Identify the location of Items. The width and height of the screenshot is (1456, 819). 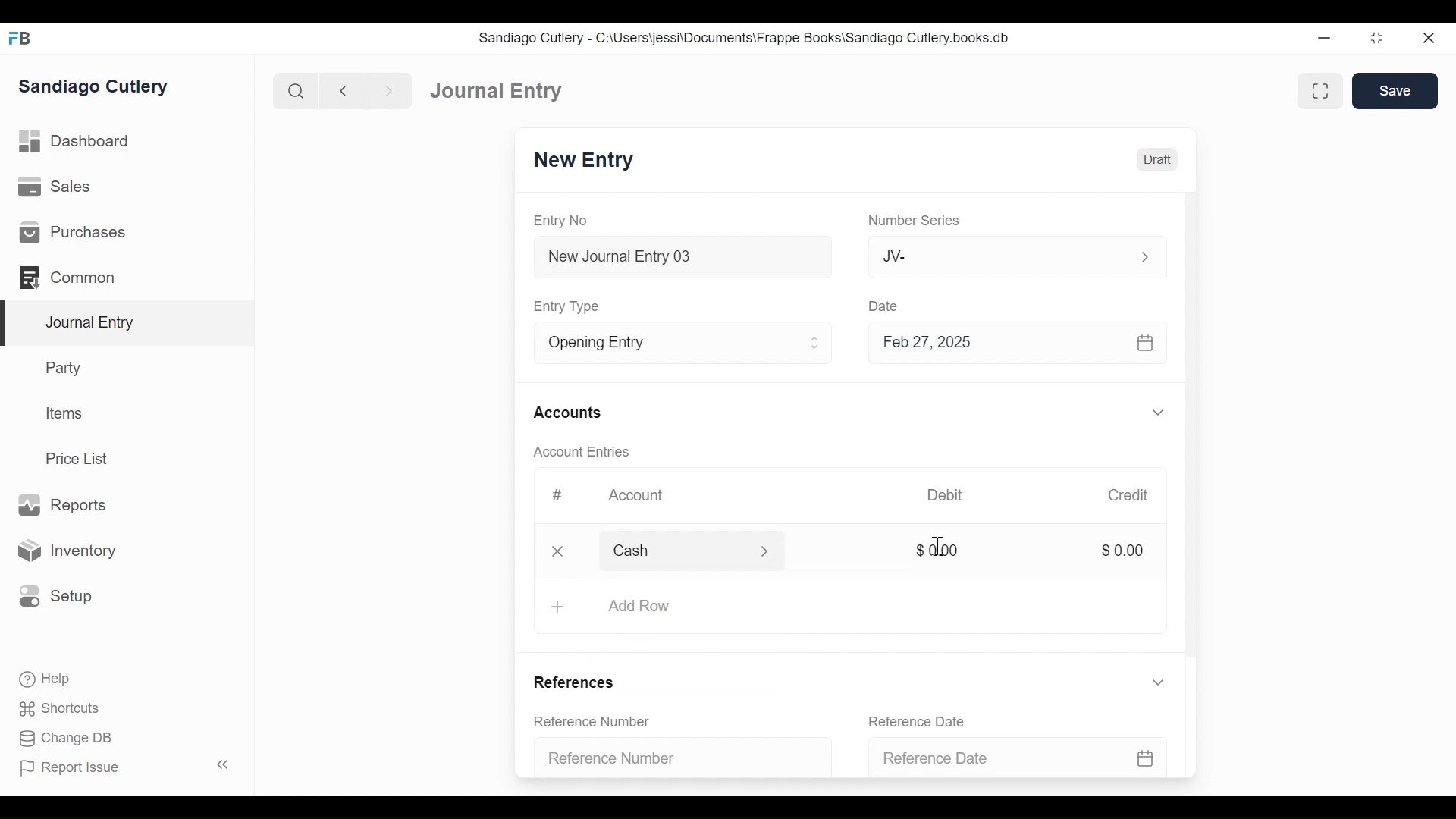
(62, 413).